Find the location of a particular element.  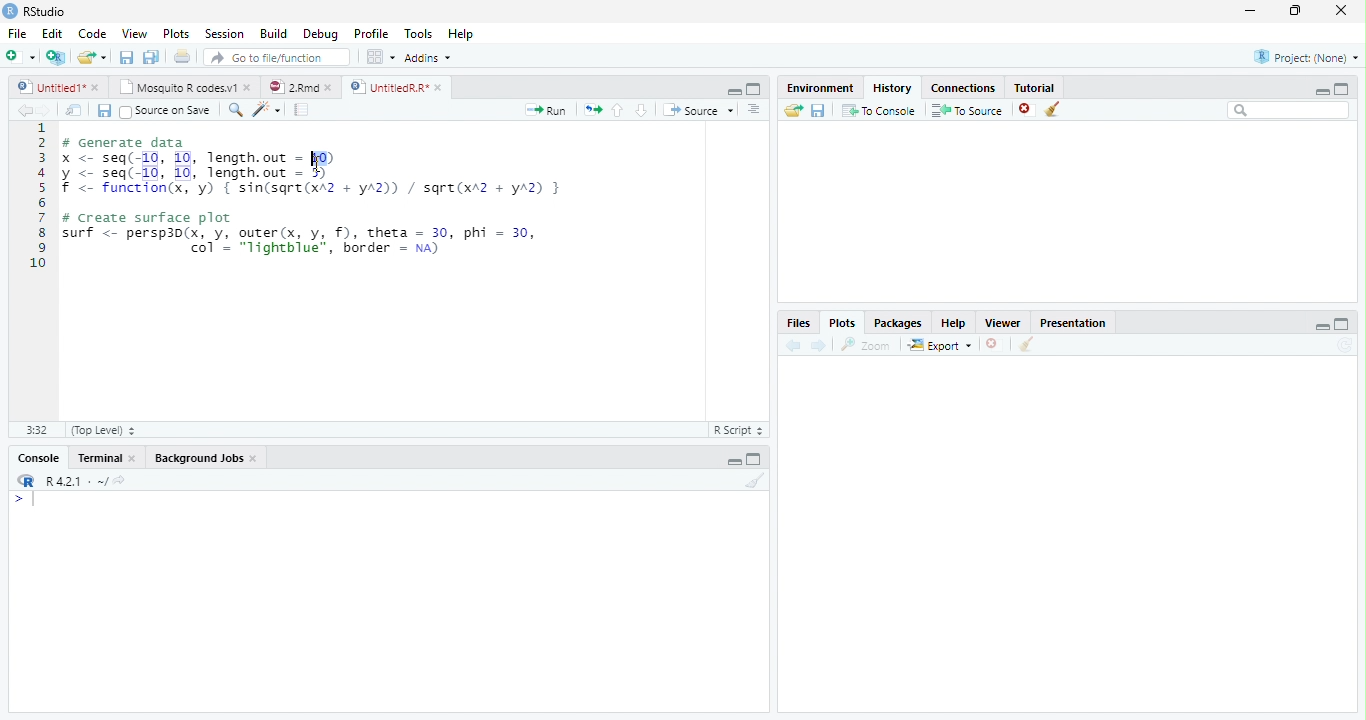

Source on Save is located at coordinates (167, 110).